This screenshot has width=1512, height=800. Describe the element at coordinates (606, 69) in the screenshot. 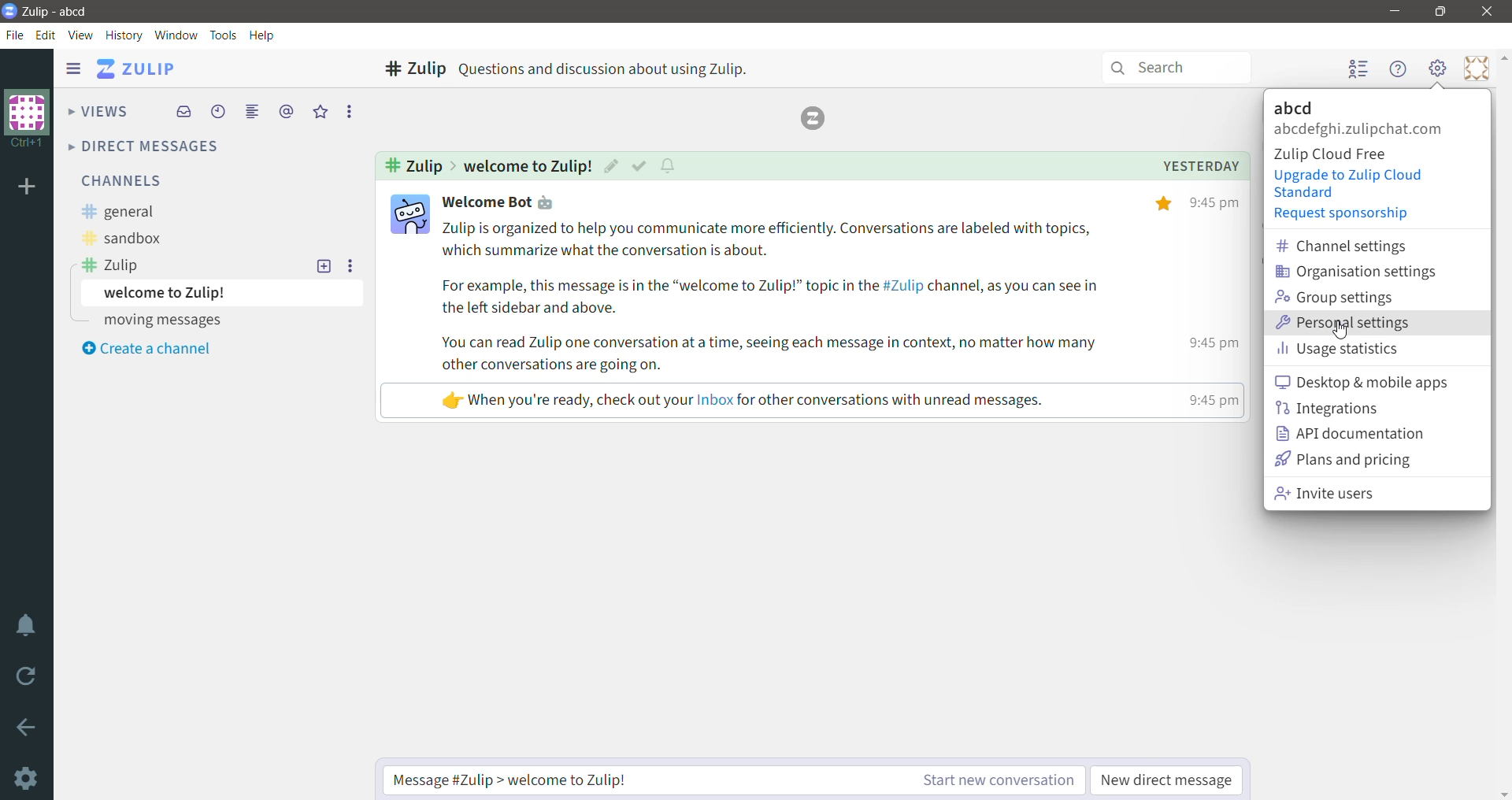

I see `Questions and discussion about using Zulip` at that location.